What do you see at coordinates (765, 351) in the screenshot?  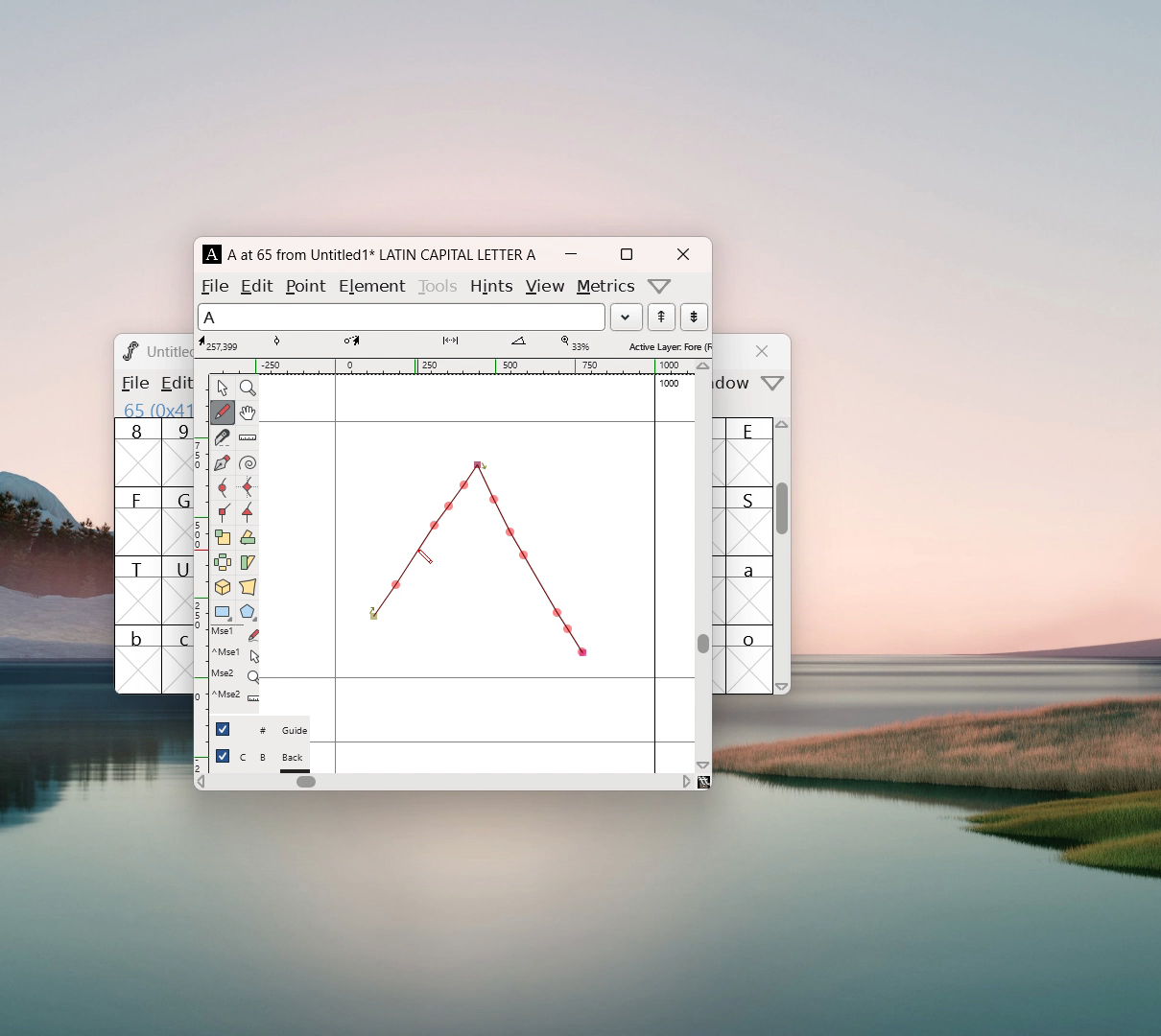 I see `close` at bounding box center [765, 351].